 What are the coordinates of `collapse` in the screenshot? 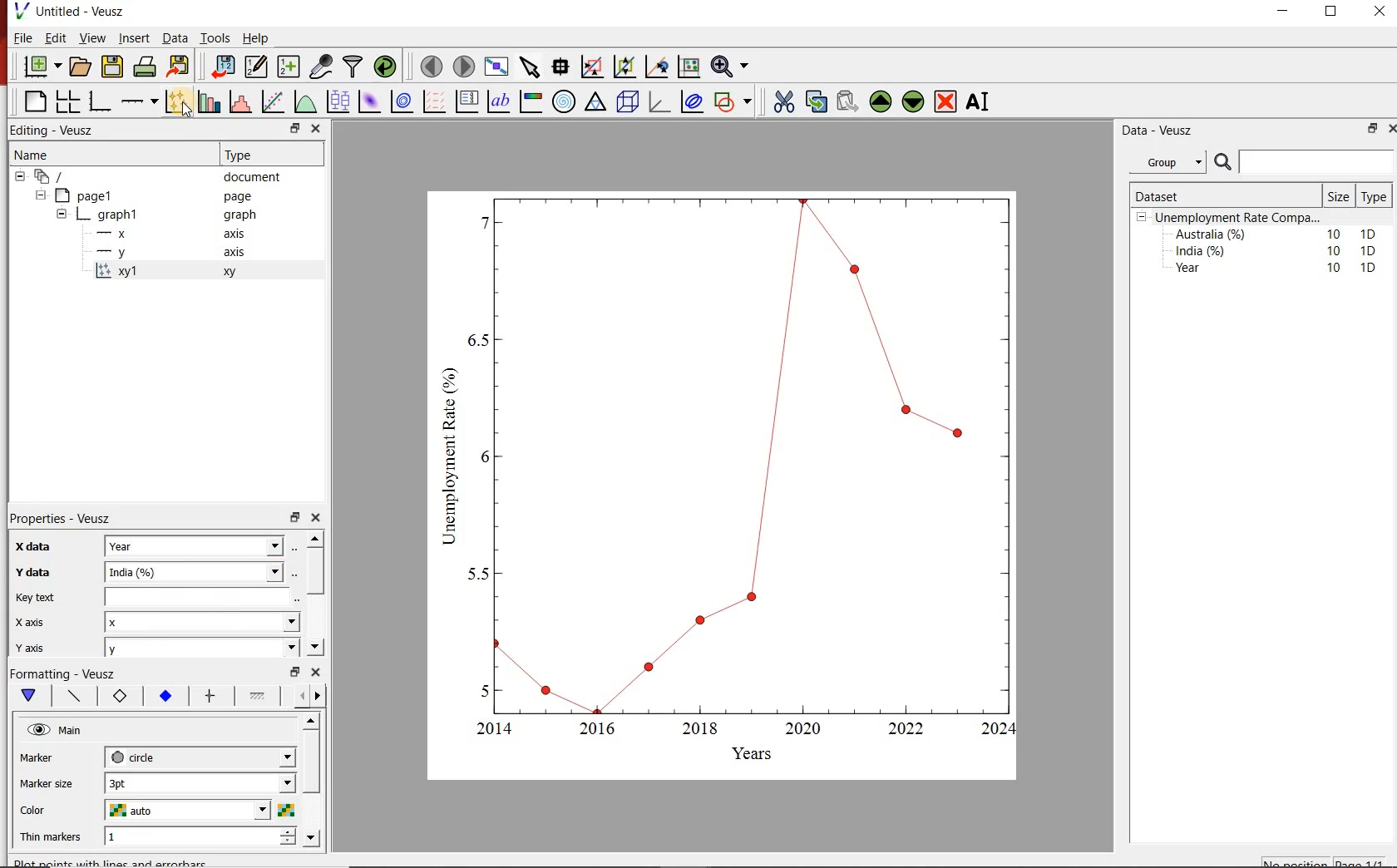 It's located at (40, 195).